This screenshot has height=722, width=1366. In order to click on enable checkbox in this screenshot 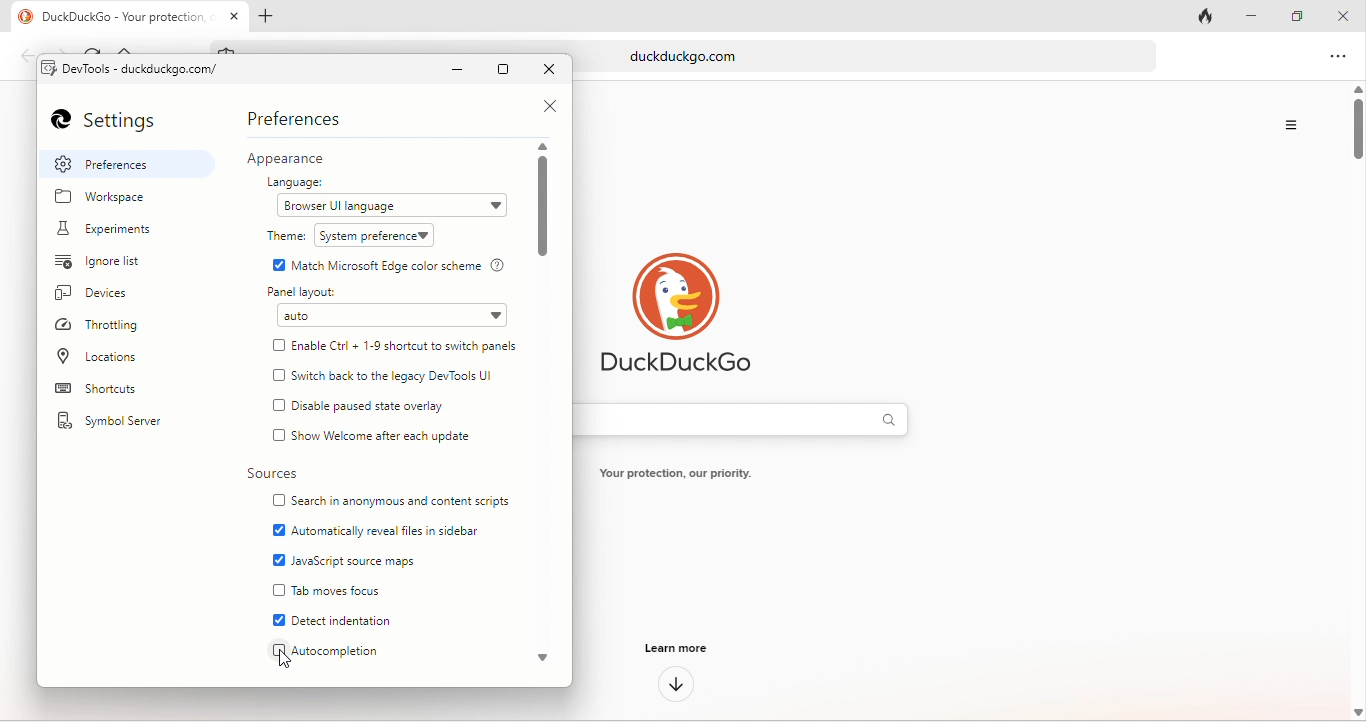, I will do `click(276, 621)`.